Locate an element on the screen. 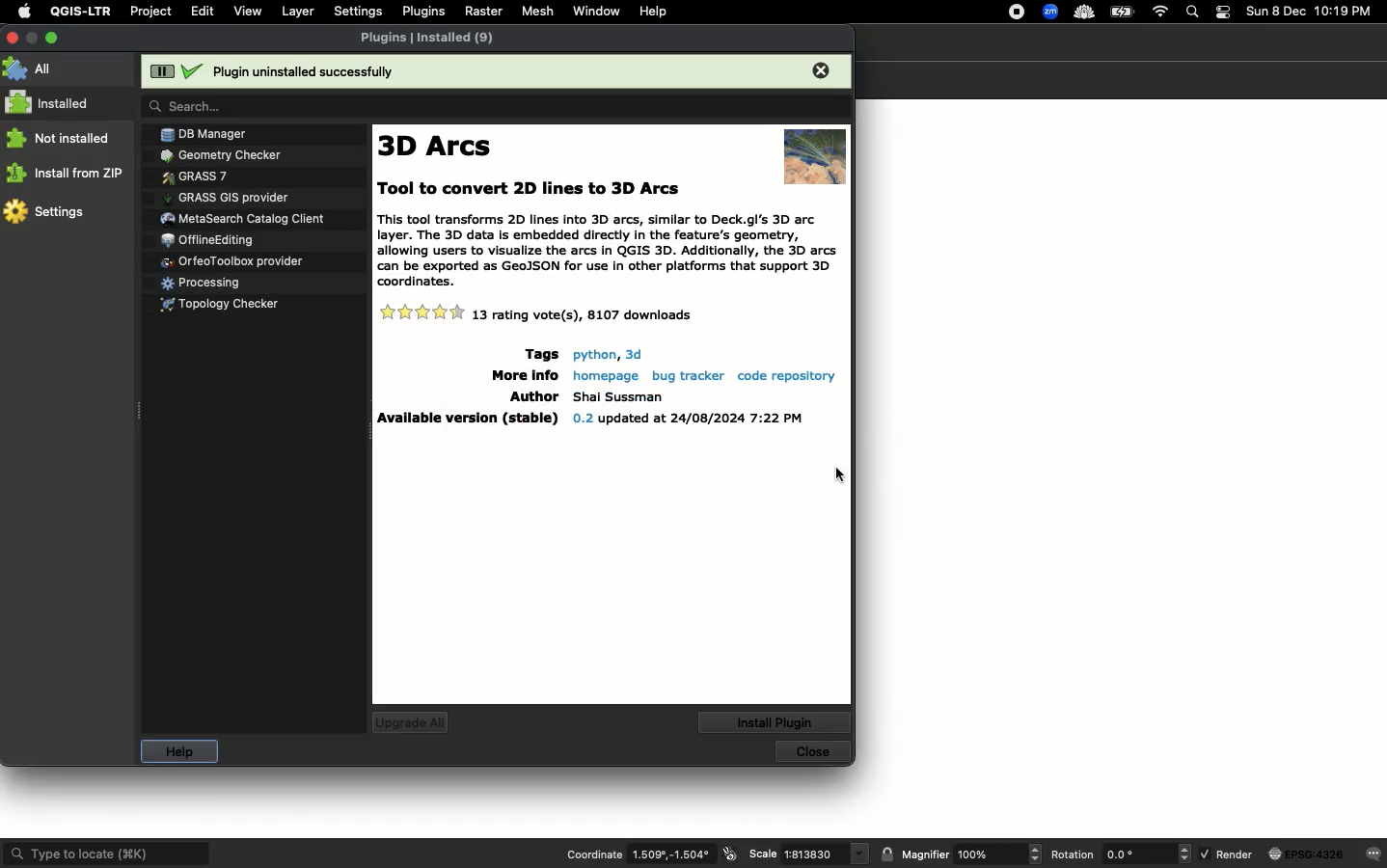 Image resolution: width=1387 pixels, height=868 pixels. Plugins is located at coordinates (252, 305).